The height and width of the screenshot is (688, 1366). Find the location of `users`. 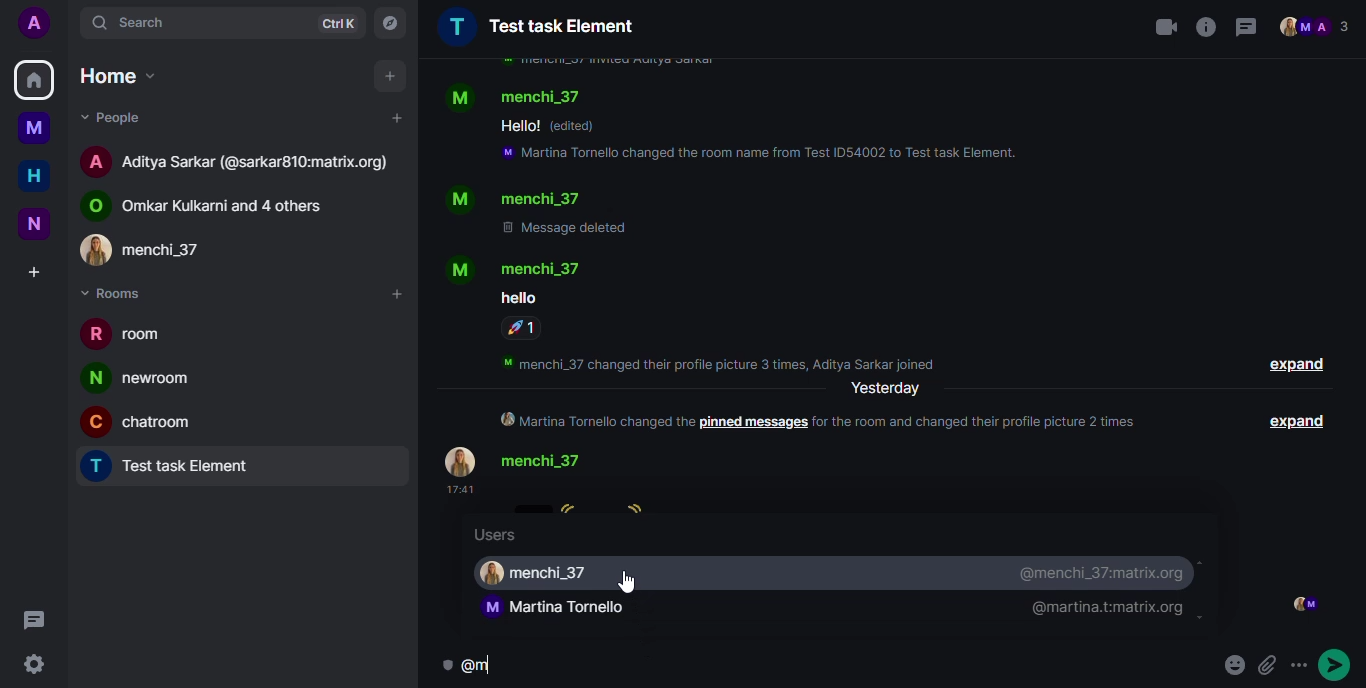

users is located at coordinates (500, 536).